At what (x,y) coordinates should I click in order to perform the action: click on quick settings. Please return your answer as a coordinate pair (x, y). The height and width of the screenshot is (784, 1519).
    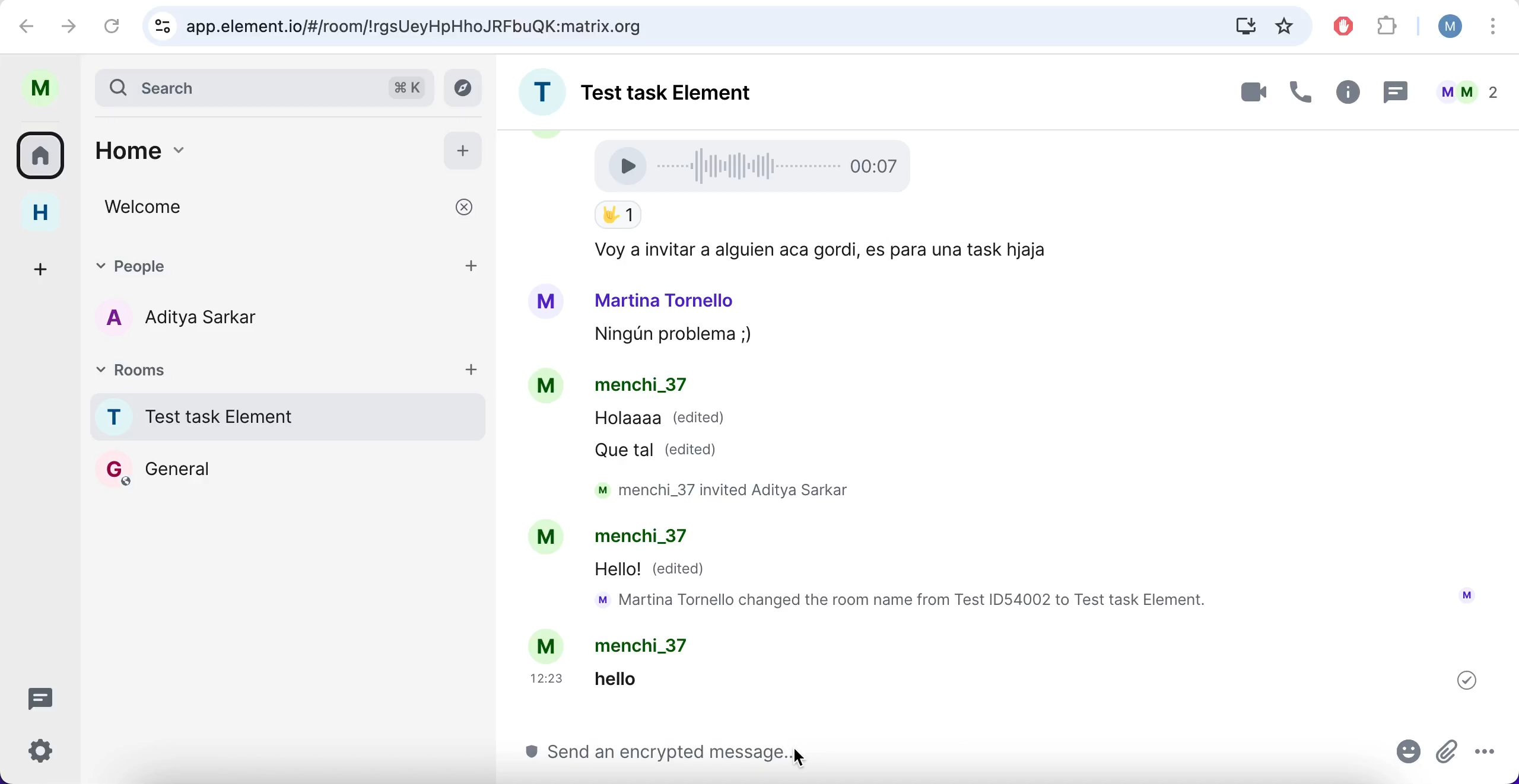
    Looking at the image, I should click on (49, 755).